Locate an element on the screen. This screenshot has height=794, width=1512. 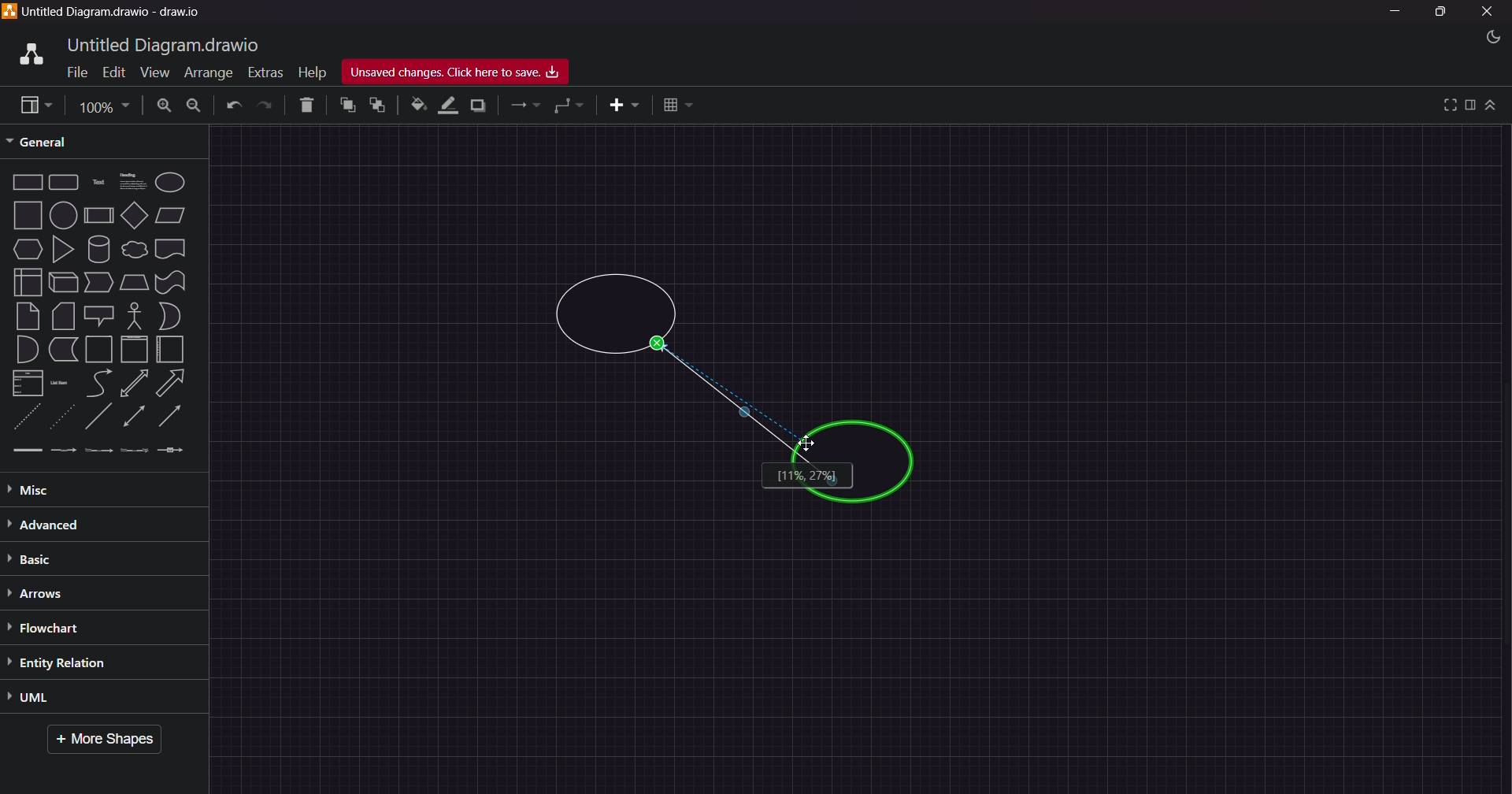
Entity Relation is located at coordinates (78, 662).